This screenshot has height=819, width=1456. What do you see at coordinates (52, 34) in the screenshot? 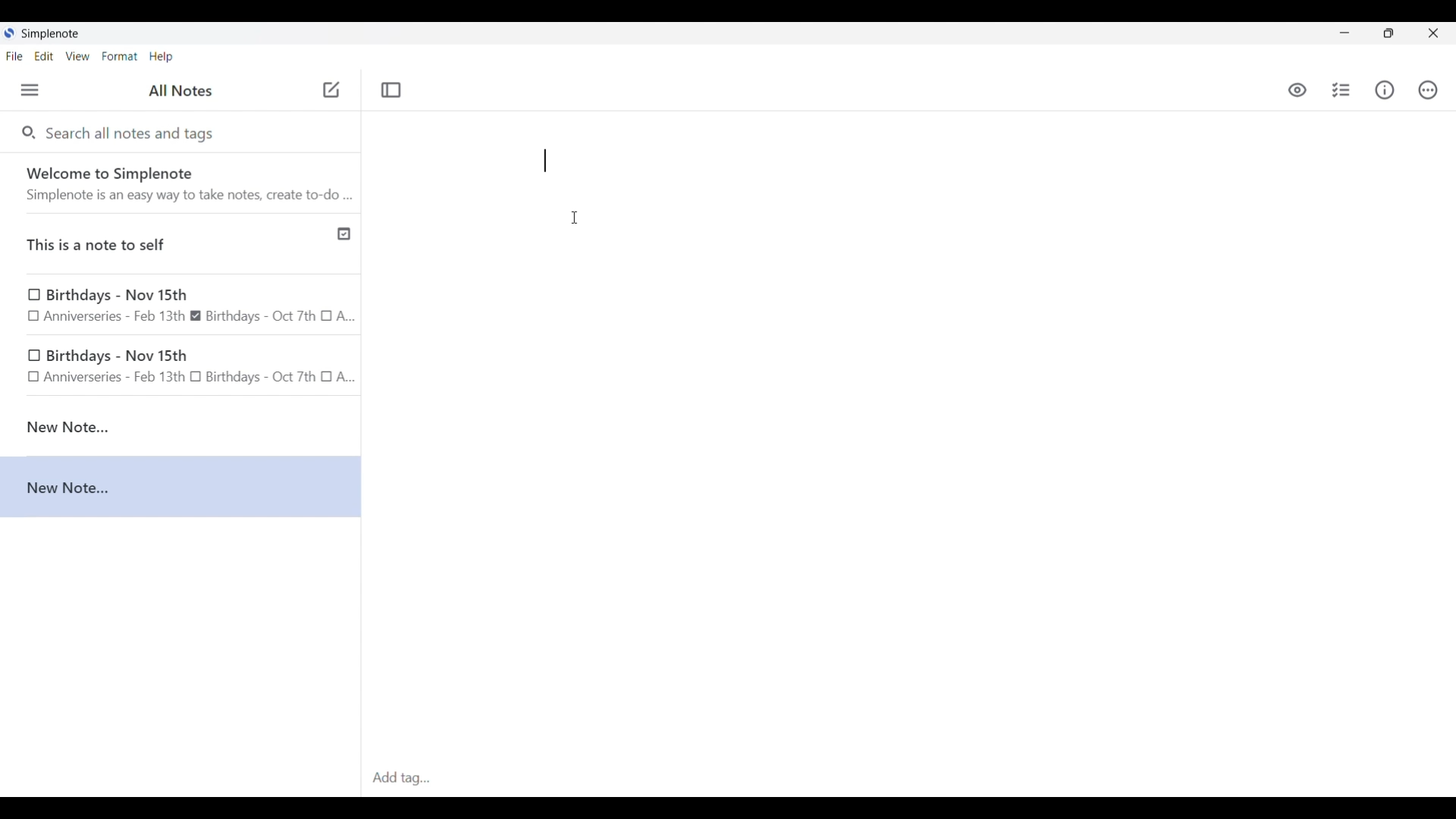
I see `Software name` at bounding box center [52, 34].